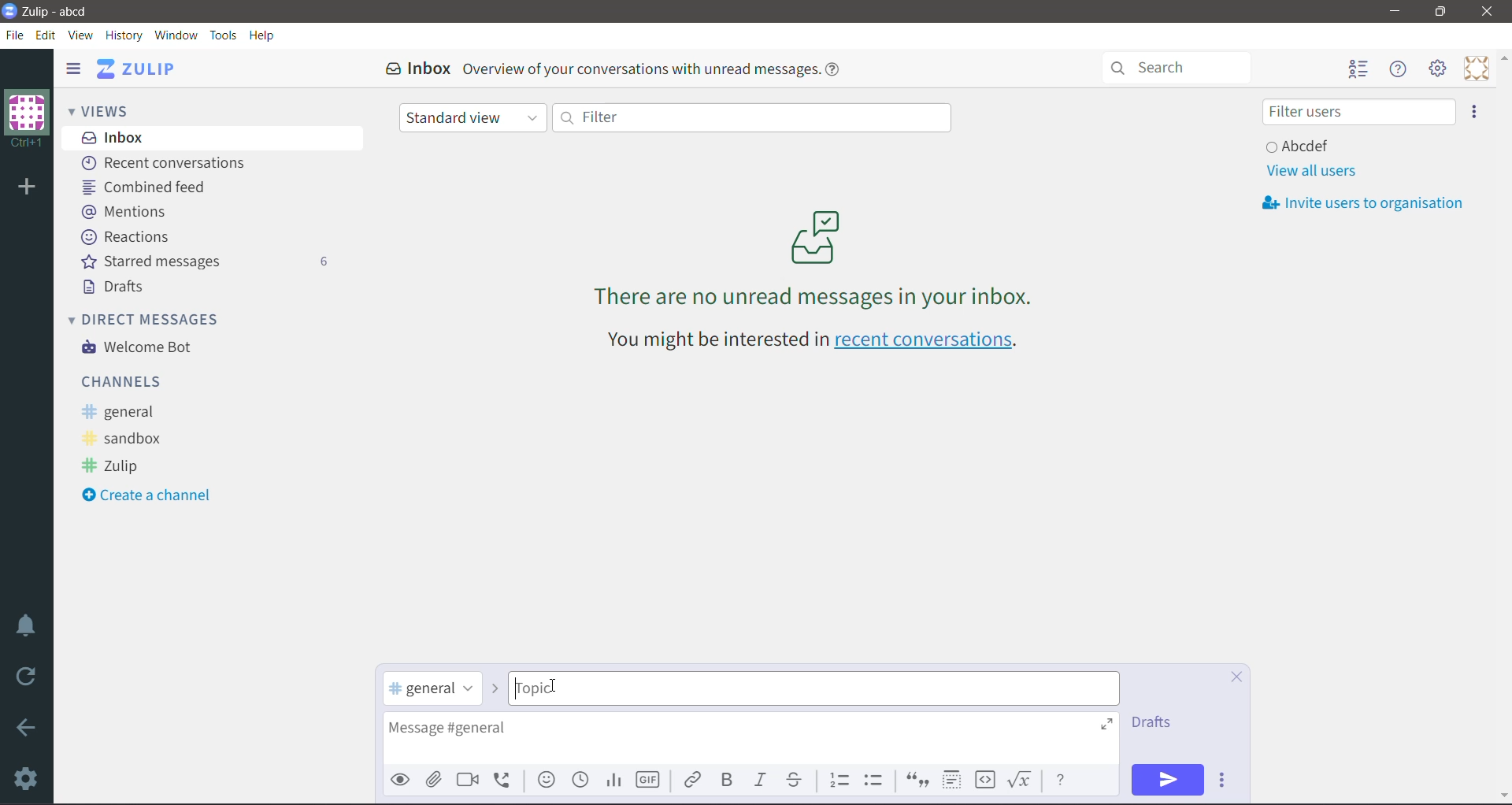 This screenshot has height=805, width=1512. I want to click on Add global time, so click(582, 780).